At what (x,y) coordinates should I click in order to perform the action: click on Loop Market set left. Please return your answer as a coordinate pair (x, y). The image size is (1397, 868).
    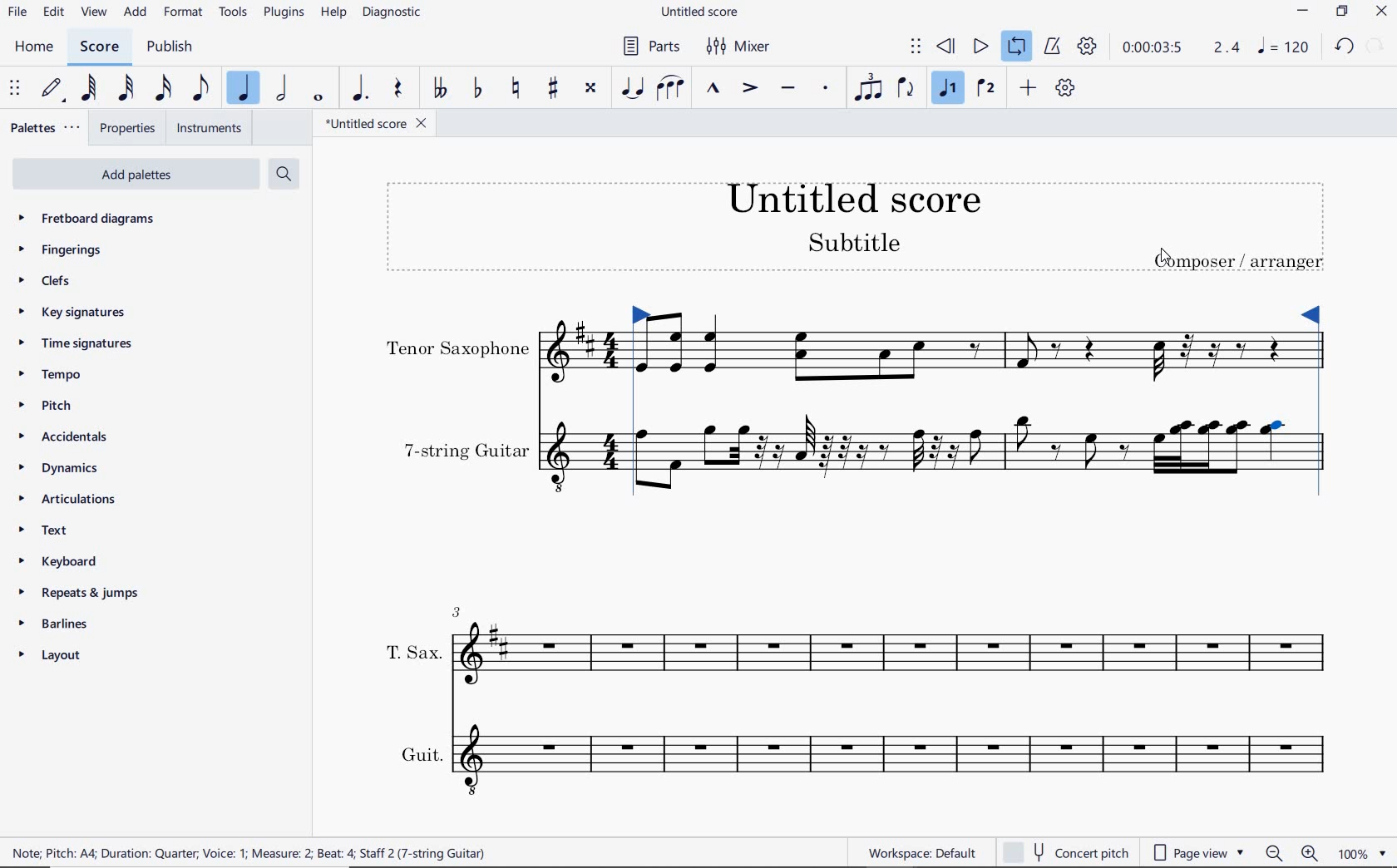
    Looking at the image, I should click on (642, 404).